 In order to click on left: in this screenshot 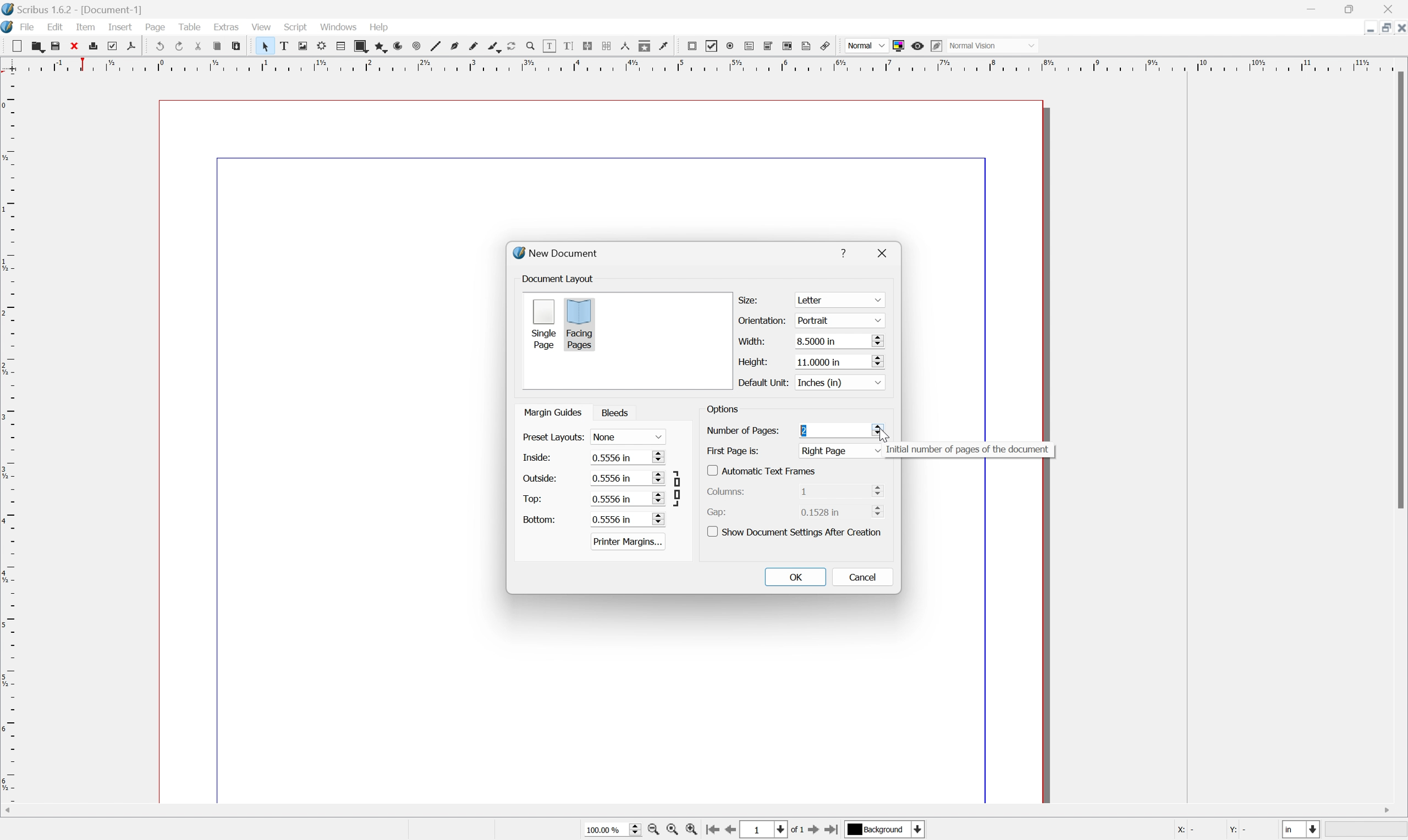, I will do `click(537, 458)`.